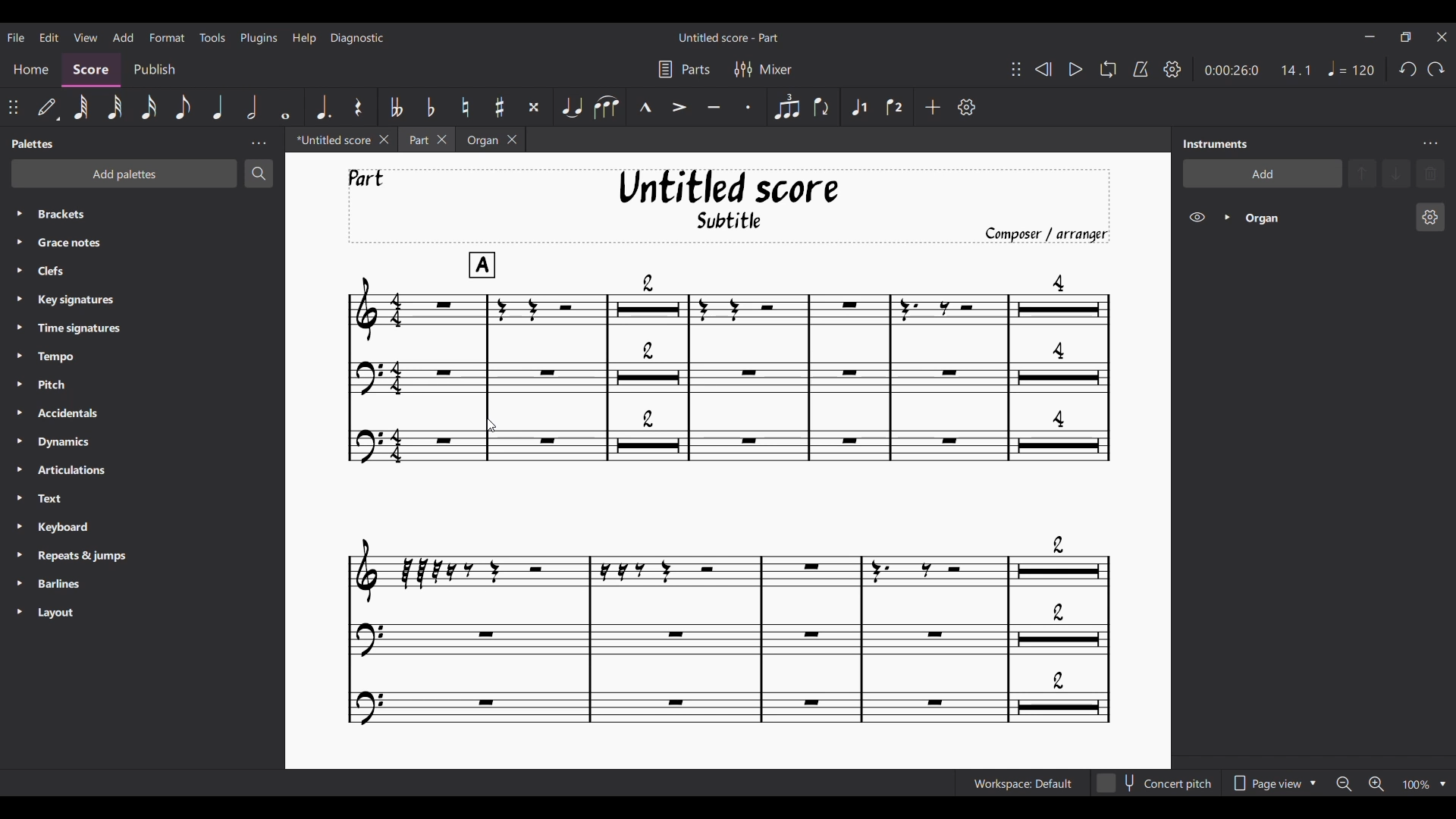 The image size is (1456, 819). I want to click on Untitled tab, so click(330, 140).